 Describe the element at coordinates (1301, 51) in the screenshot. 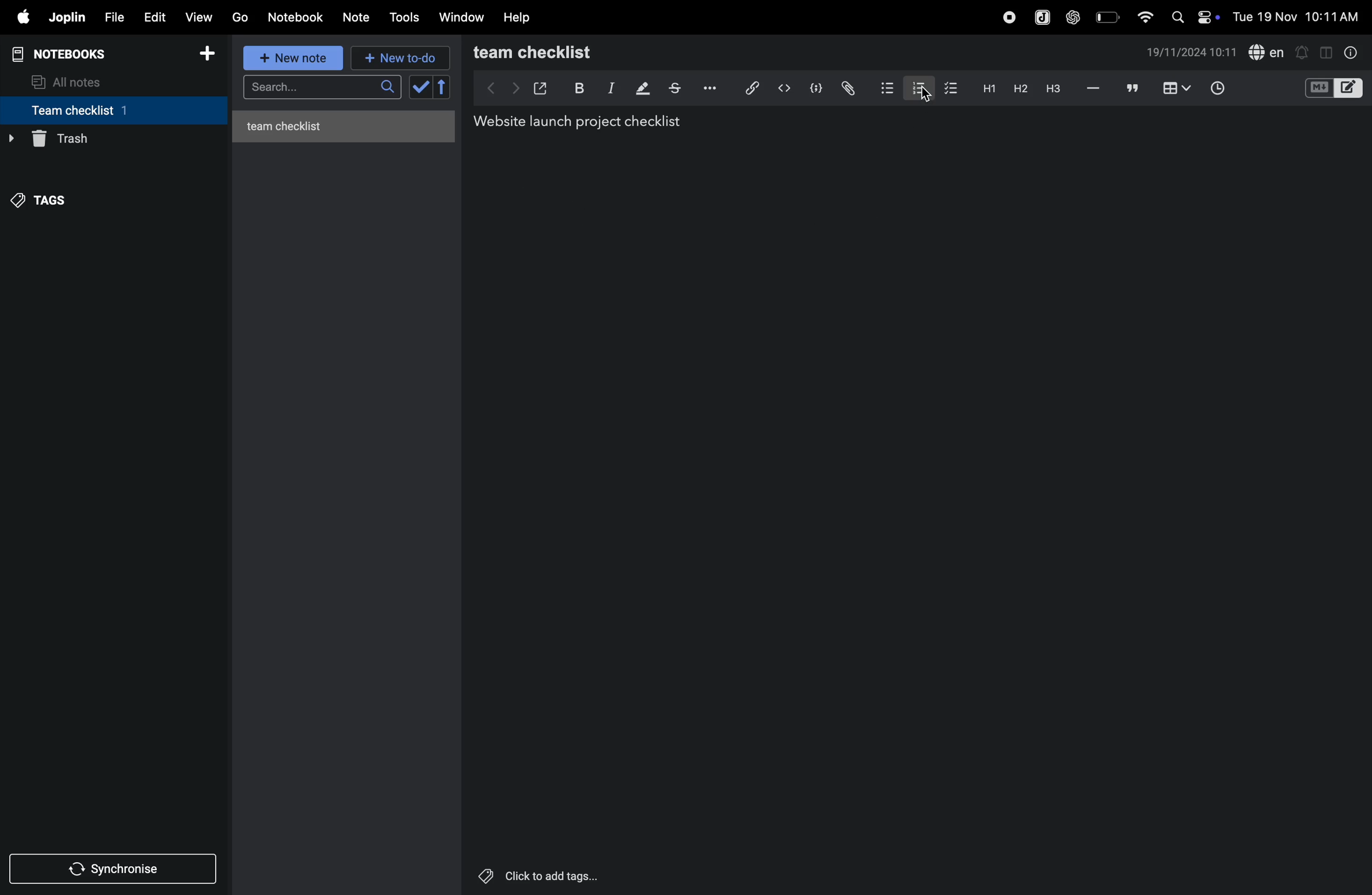

I see `` at that location.